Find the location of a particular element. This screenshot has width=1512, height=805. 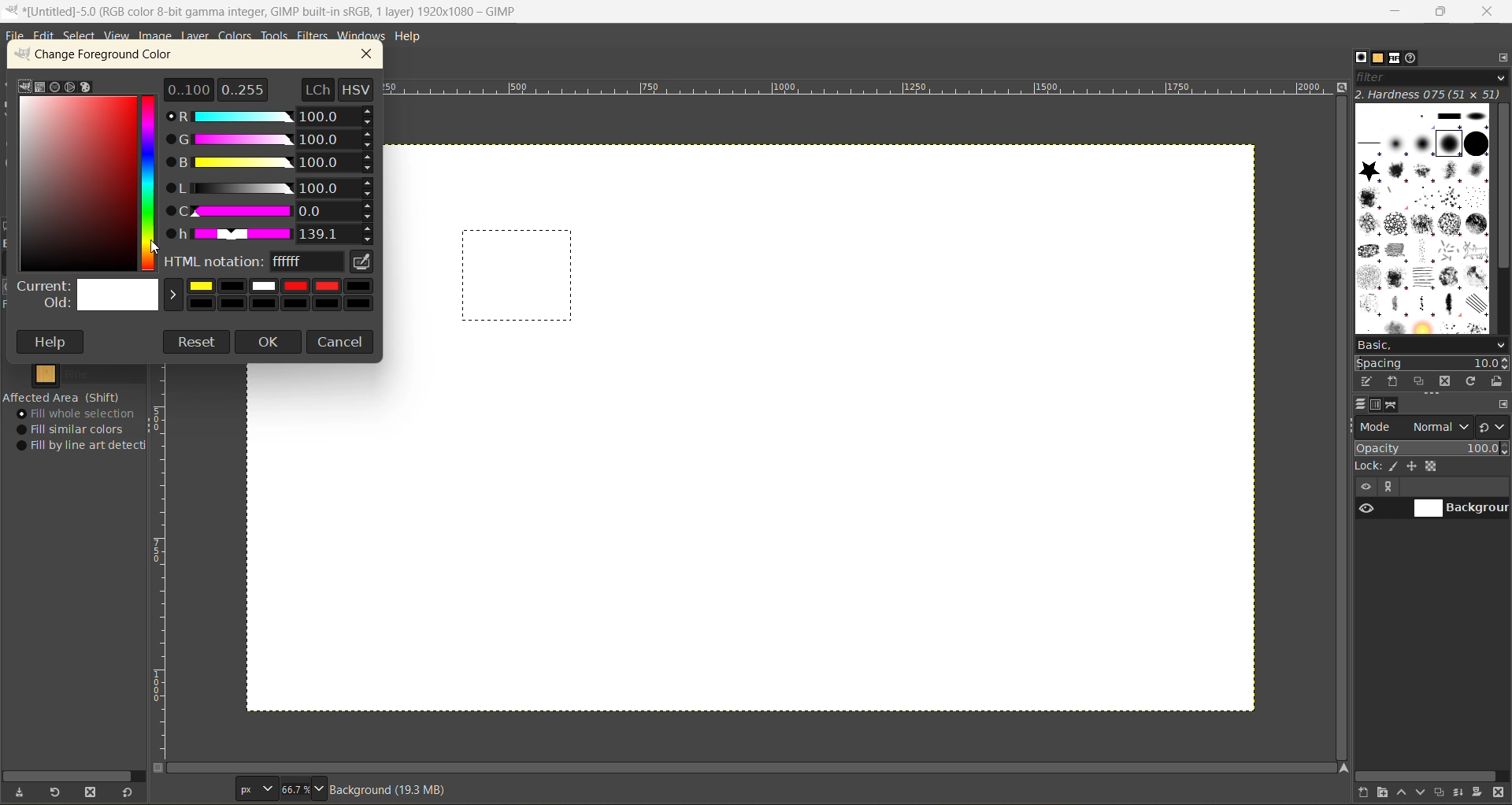

scroll bar is located at coordinates (755, 768).